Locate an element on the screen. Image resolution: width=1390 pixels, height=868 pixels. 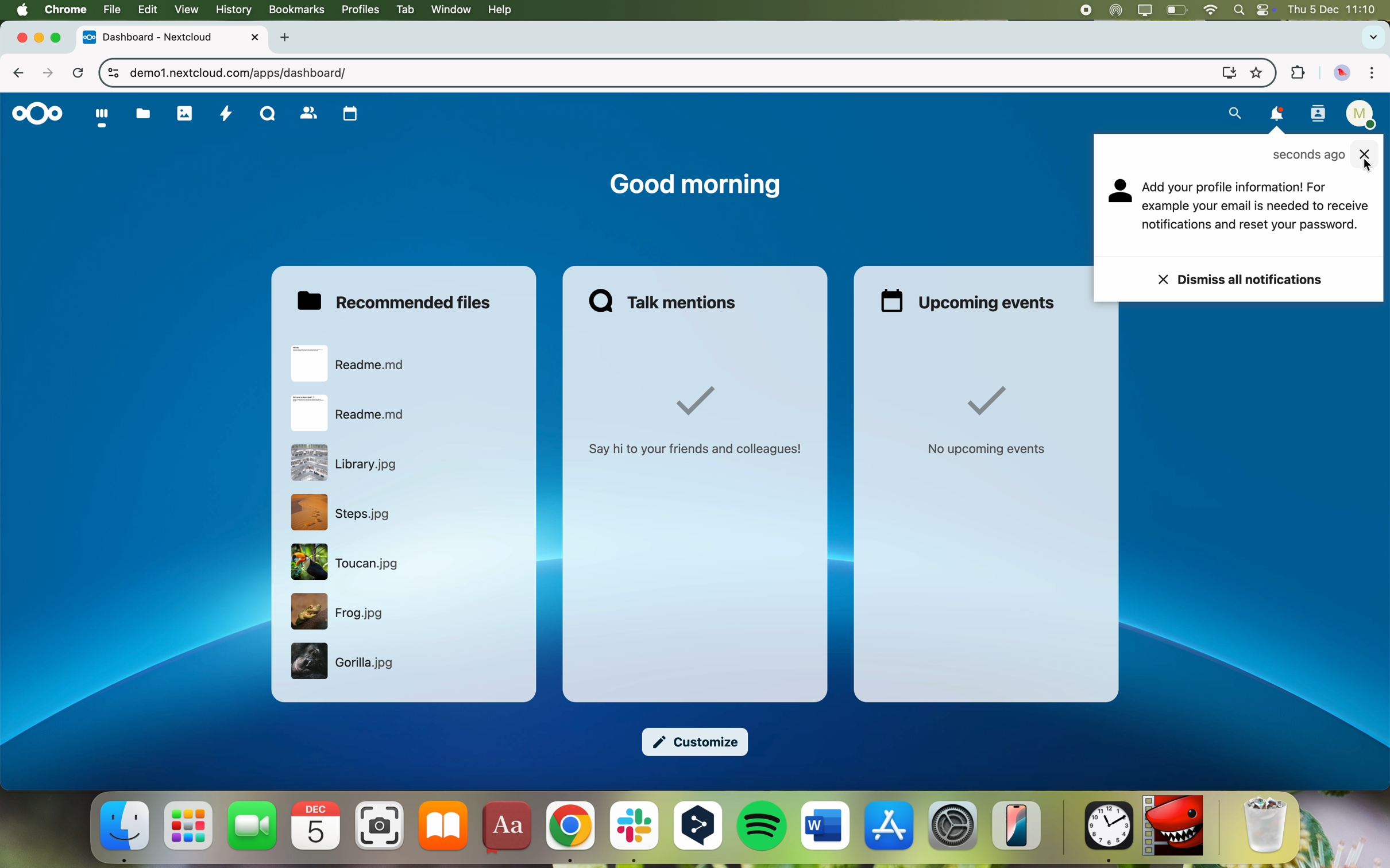
Spotify is located at coordinates (763, 827).